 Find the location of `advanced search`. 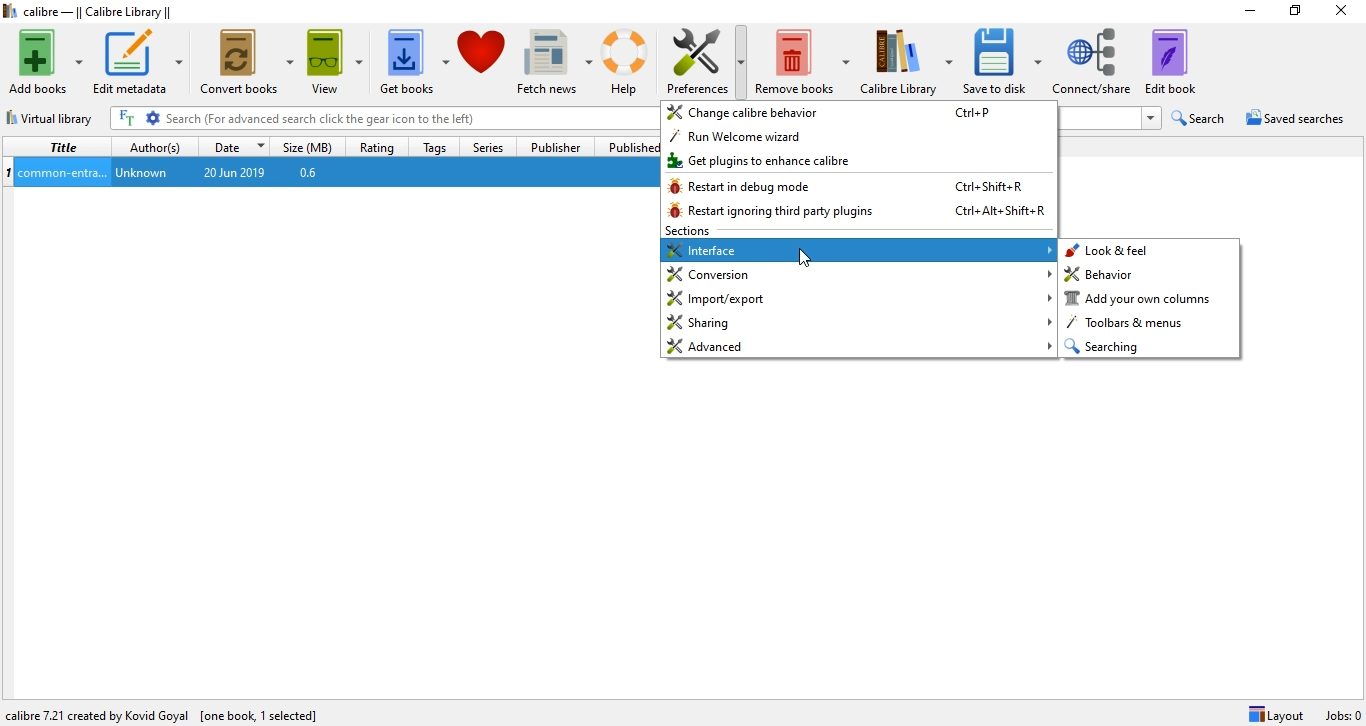

advanced search is located at coordinates (154, 118).